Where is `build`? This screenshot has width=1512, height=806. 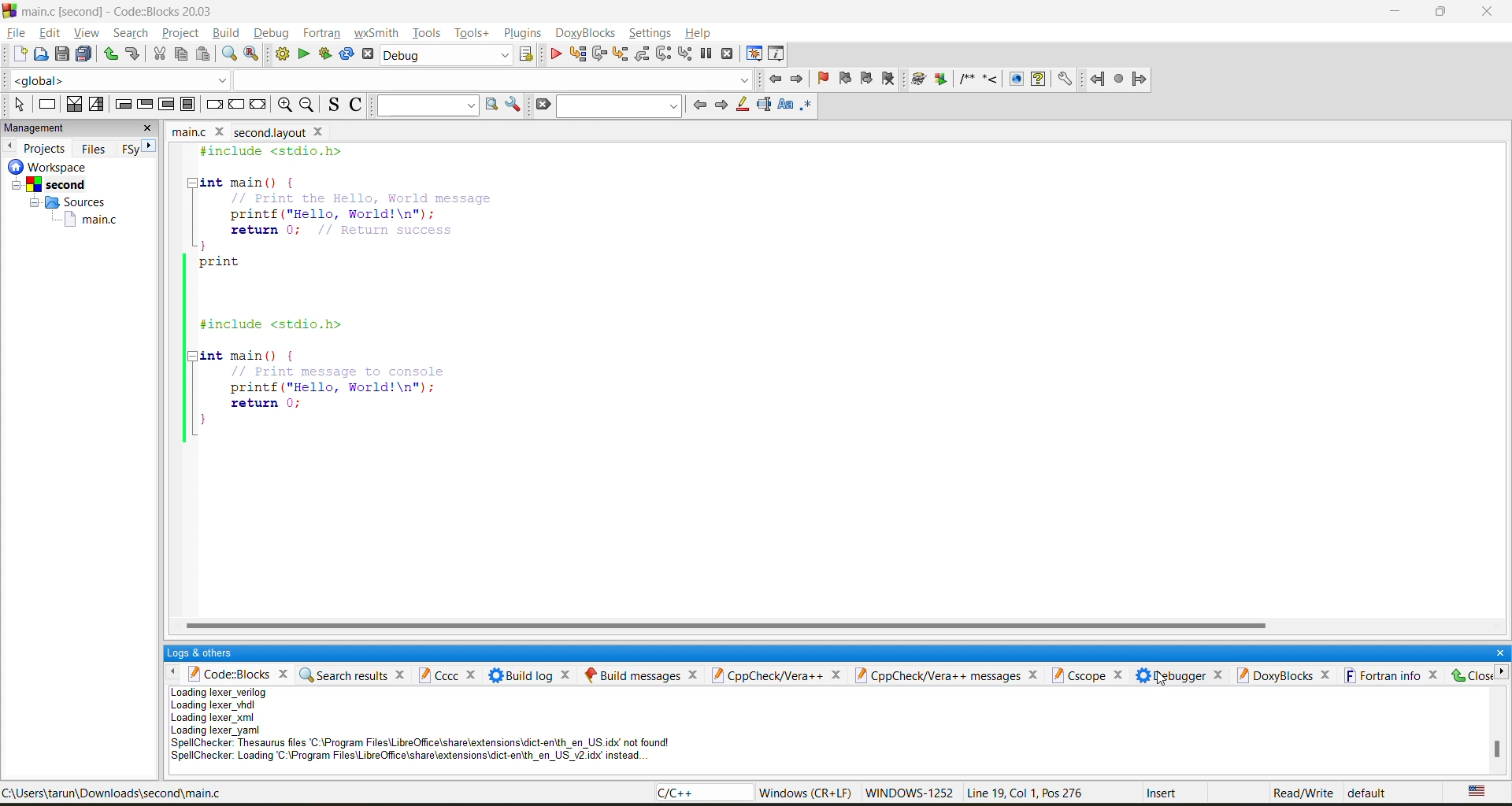
build is located at coordinates (229, 33).